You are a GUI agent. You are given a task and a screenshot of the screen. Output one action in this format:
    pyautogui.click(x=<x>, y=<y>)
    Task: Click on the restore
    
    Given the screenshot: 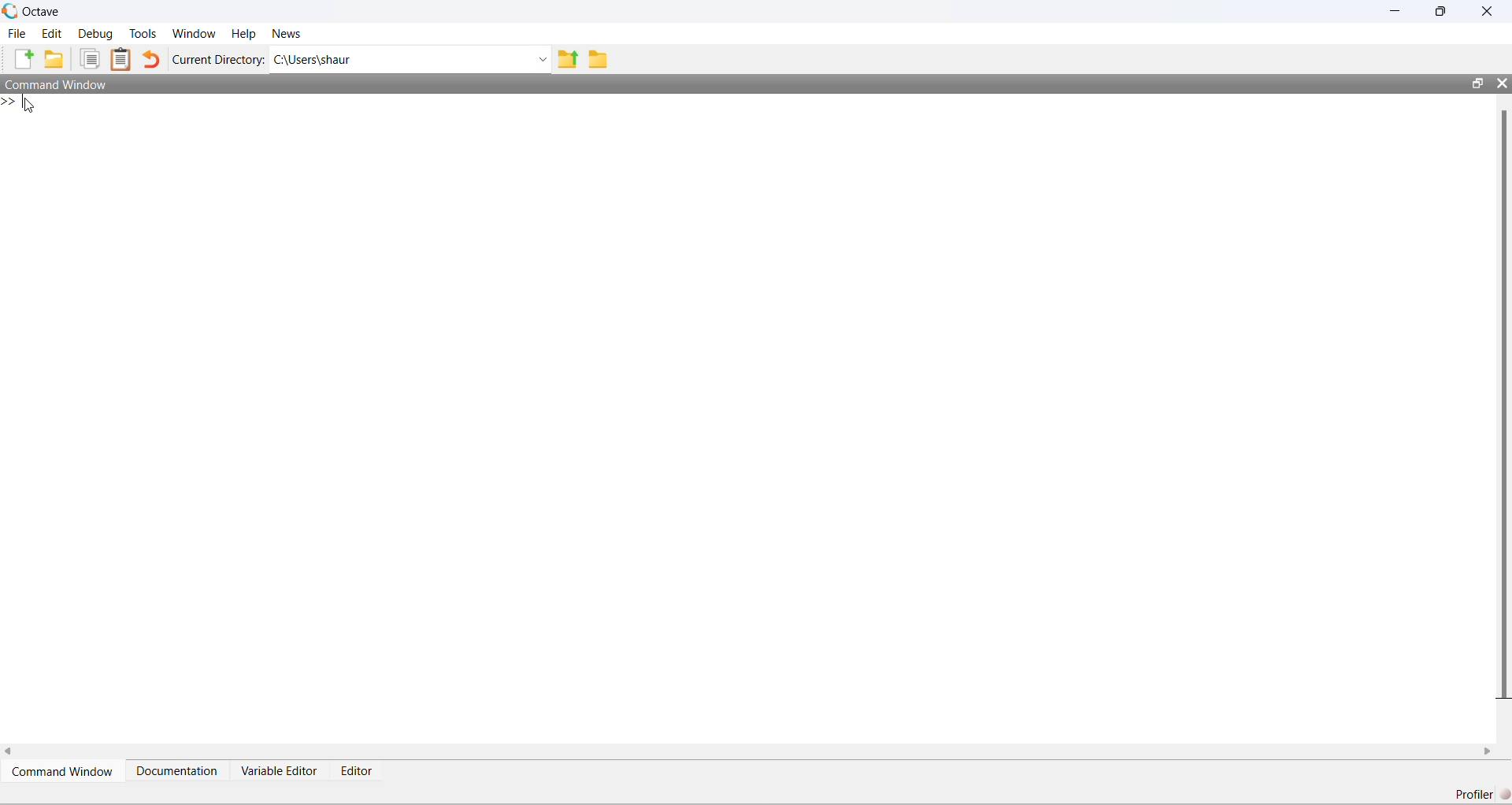 What is the action you would take?
    pyautogui.click(x=1441, y=10)
    